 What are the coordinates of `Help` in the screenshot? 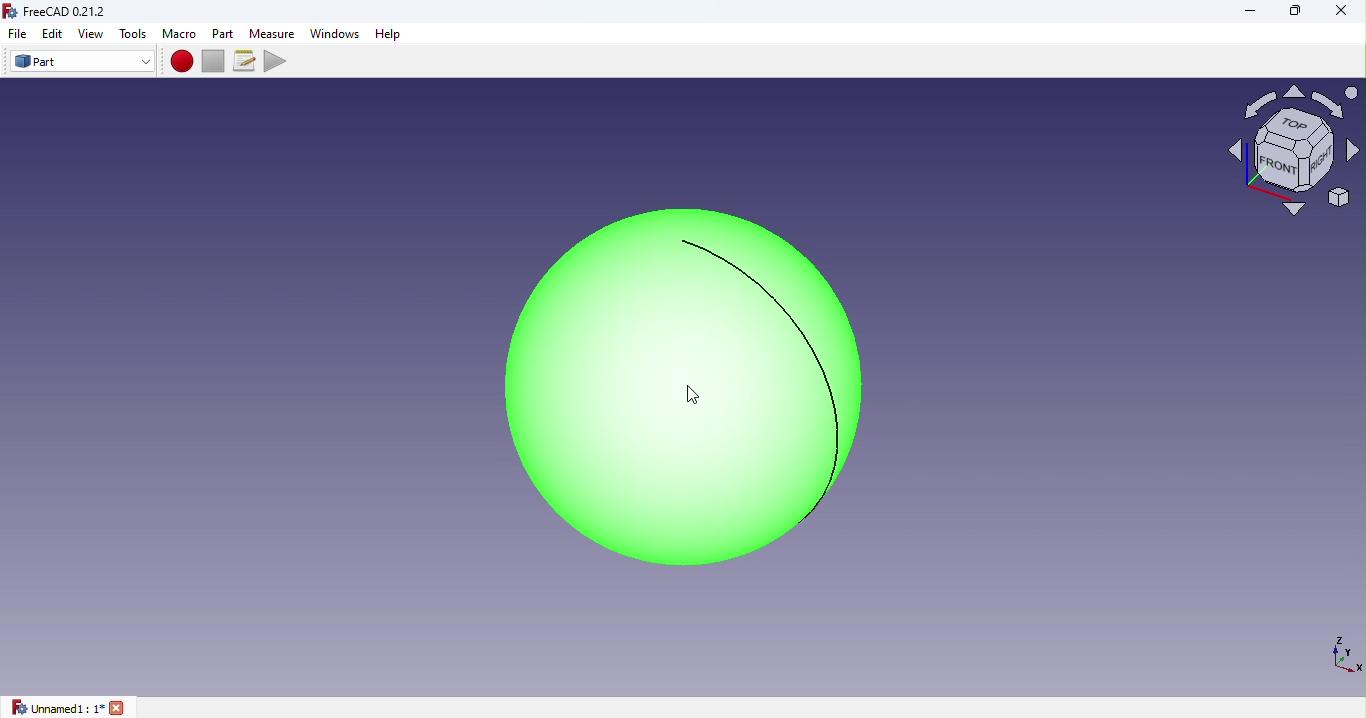 It's located at (393, 34).